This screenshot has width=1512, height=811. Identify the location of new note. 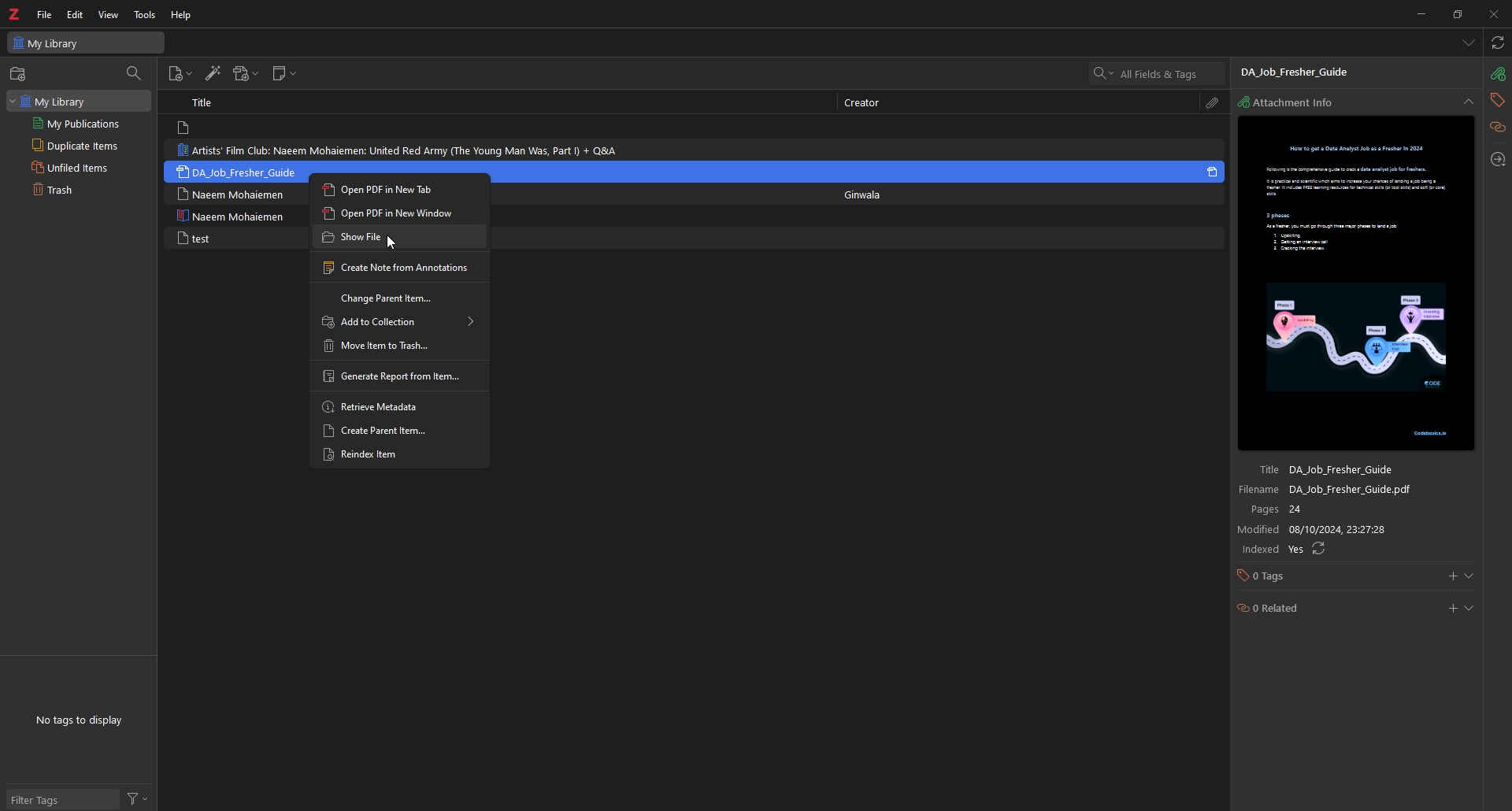
(285, 73).